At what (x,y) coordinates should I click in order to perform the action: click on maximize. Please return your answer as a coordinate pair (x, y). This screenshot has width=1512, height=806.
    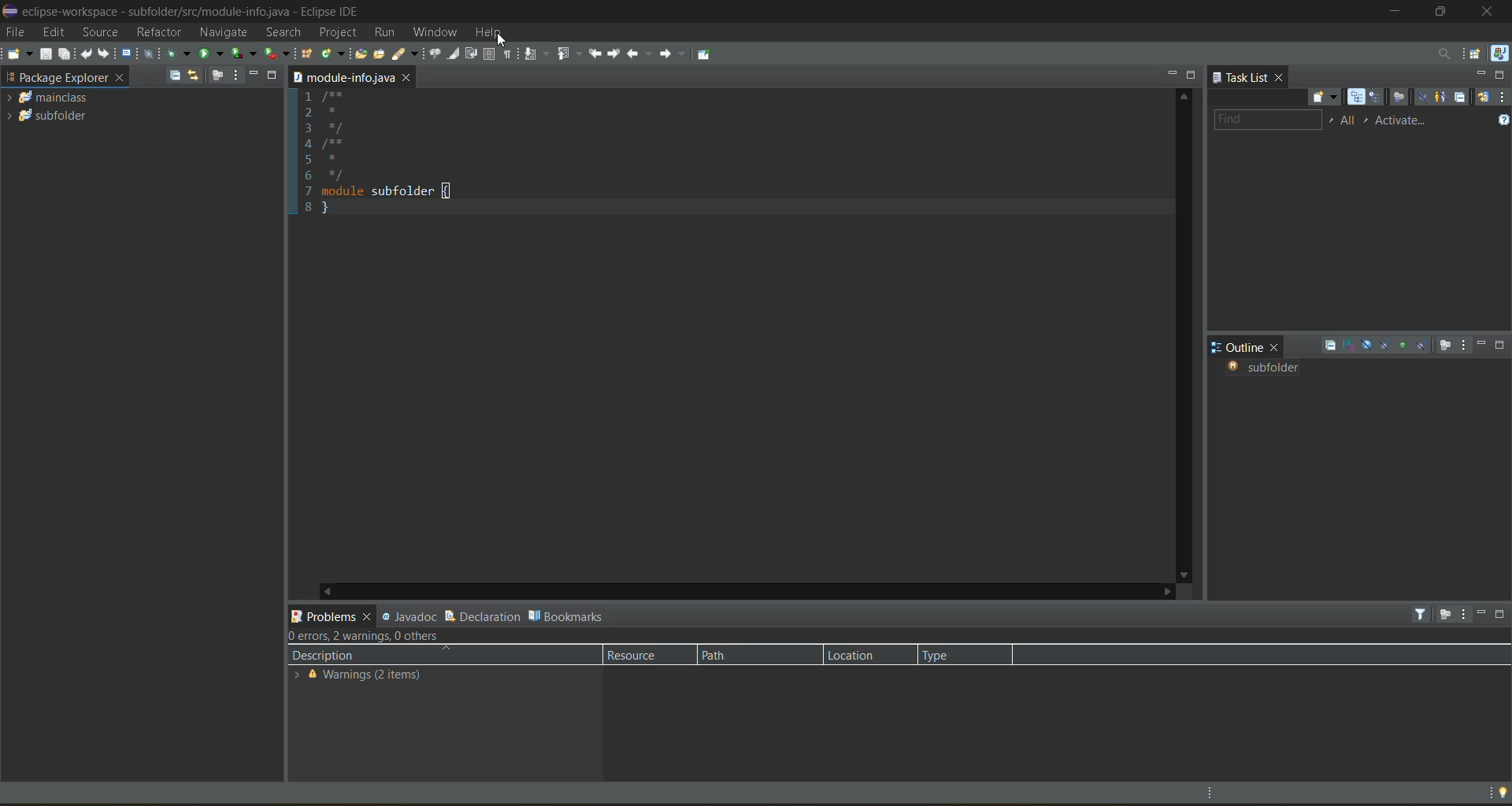
    Looking at the image, I should click on (1503, 344).